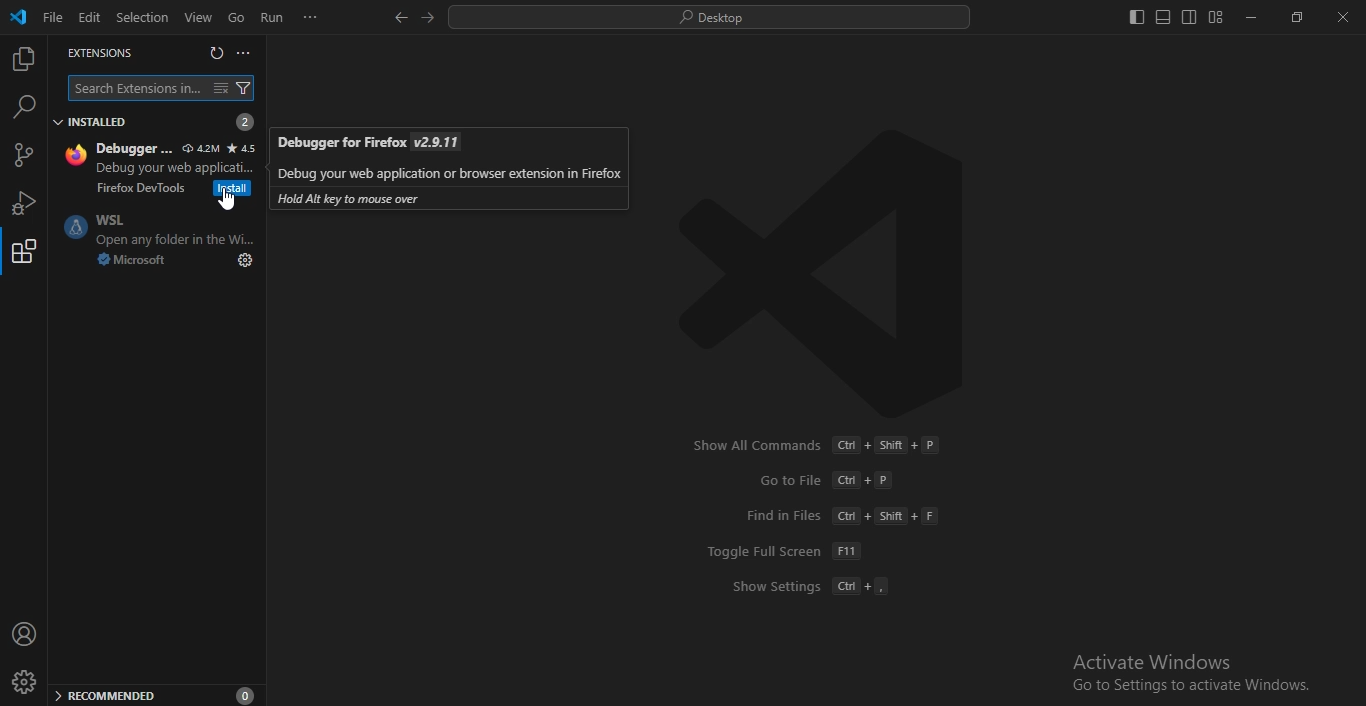 This screenshot has height=706, width=1366. I want to click on selection, so click(142, 17).